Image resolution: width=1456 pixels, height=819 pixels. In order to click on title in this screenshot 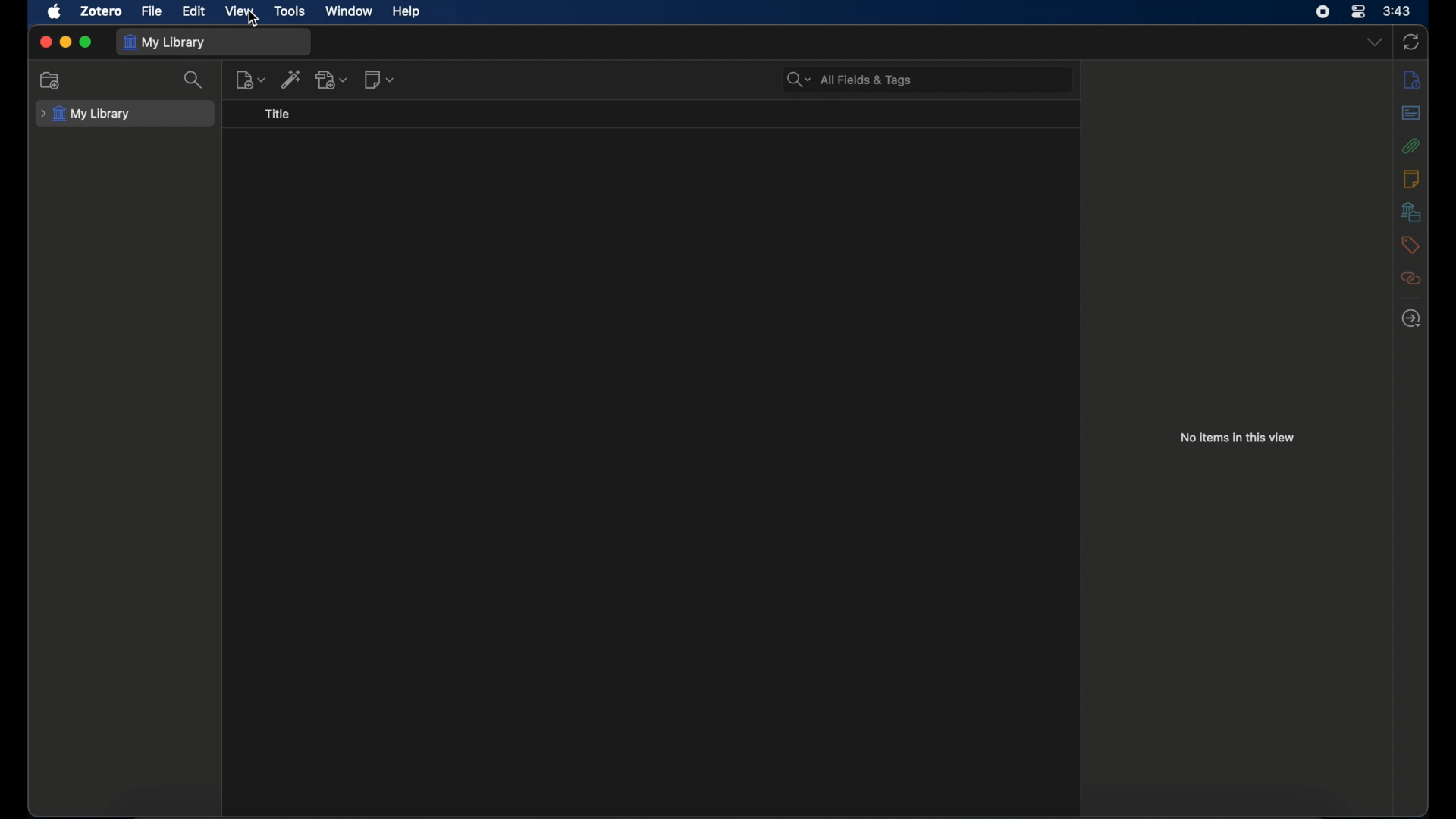, I will do `click(281, 115)`.